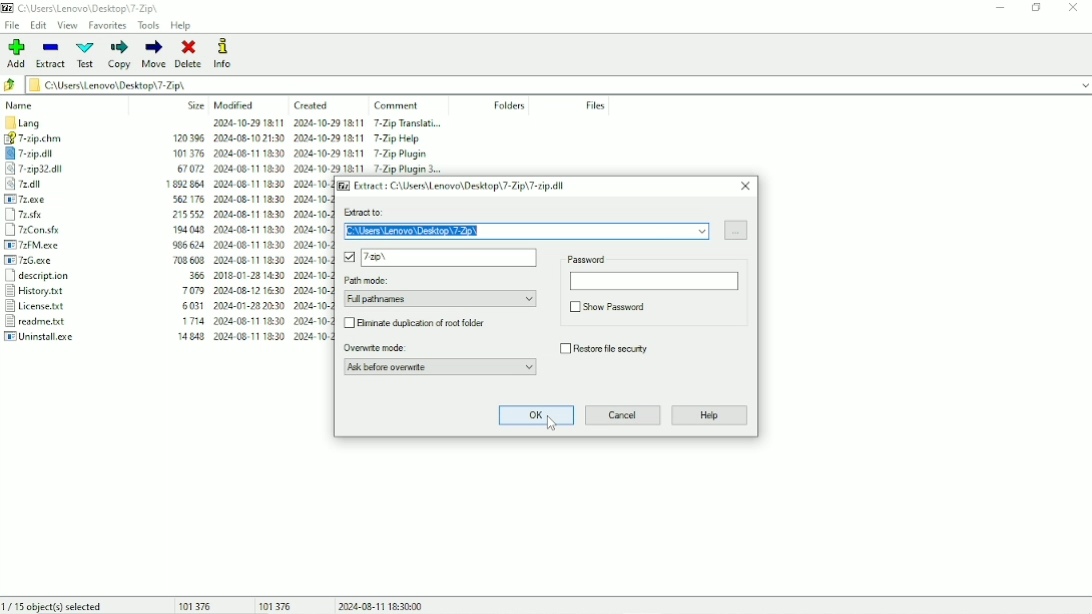 This screenshot has width=1092, height=614. Describe the element at coordinates (245, 228) in the screenshot. I see `GOES MDL08.11 1830 MDL IN IRI Tie Comole` at that location.